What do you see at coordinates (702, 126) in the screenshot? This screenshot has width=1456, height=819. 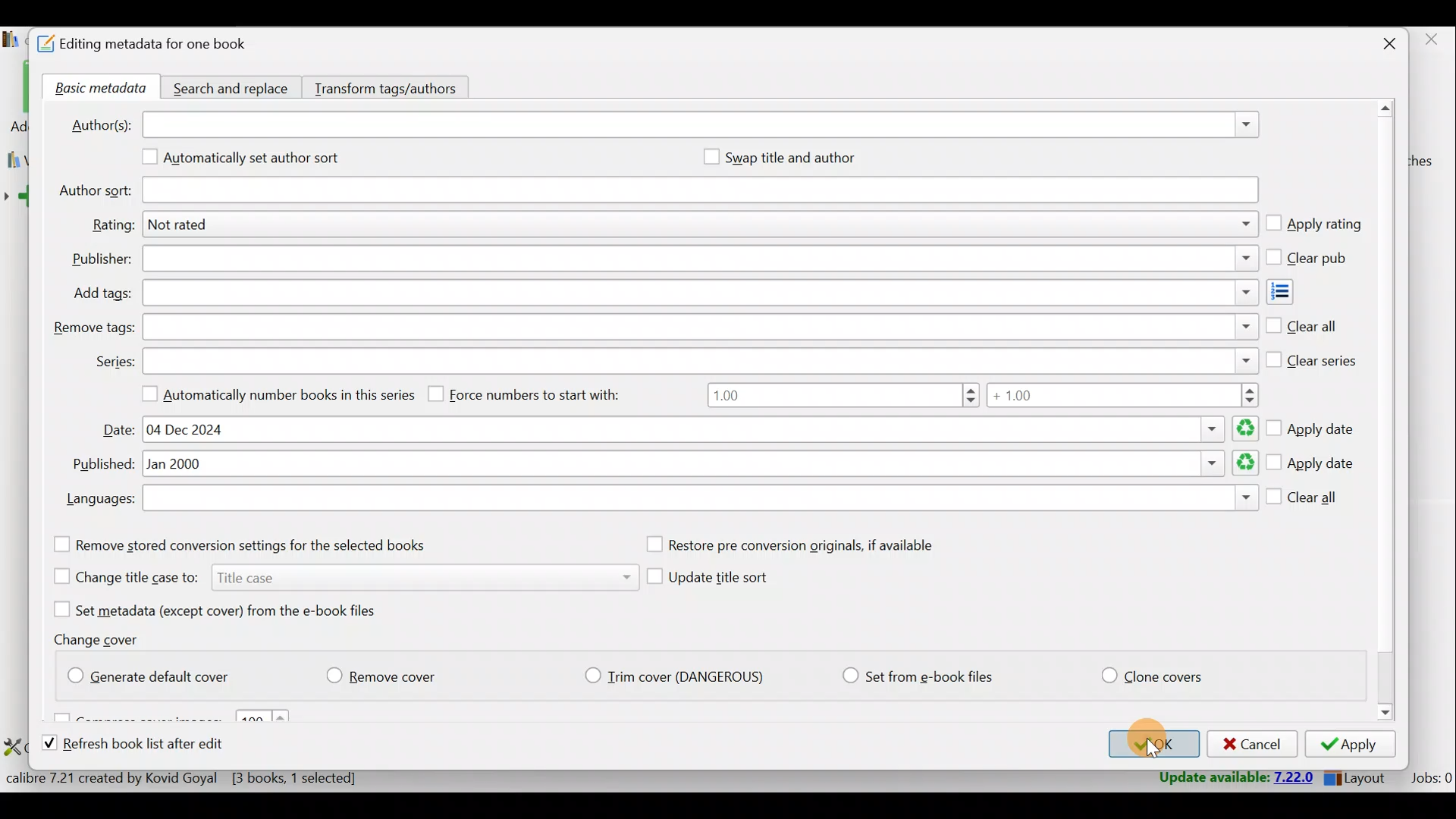 I see `Authors` at bounding box center [702, 126].